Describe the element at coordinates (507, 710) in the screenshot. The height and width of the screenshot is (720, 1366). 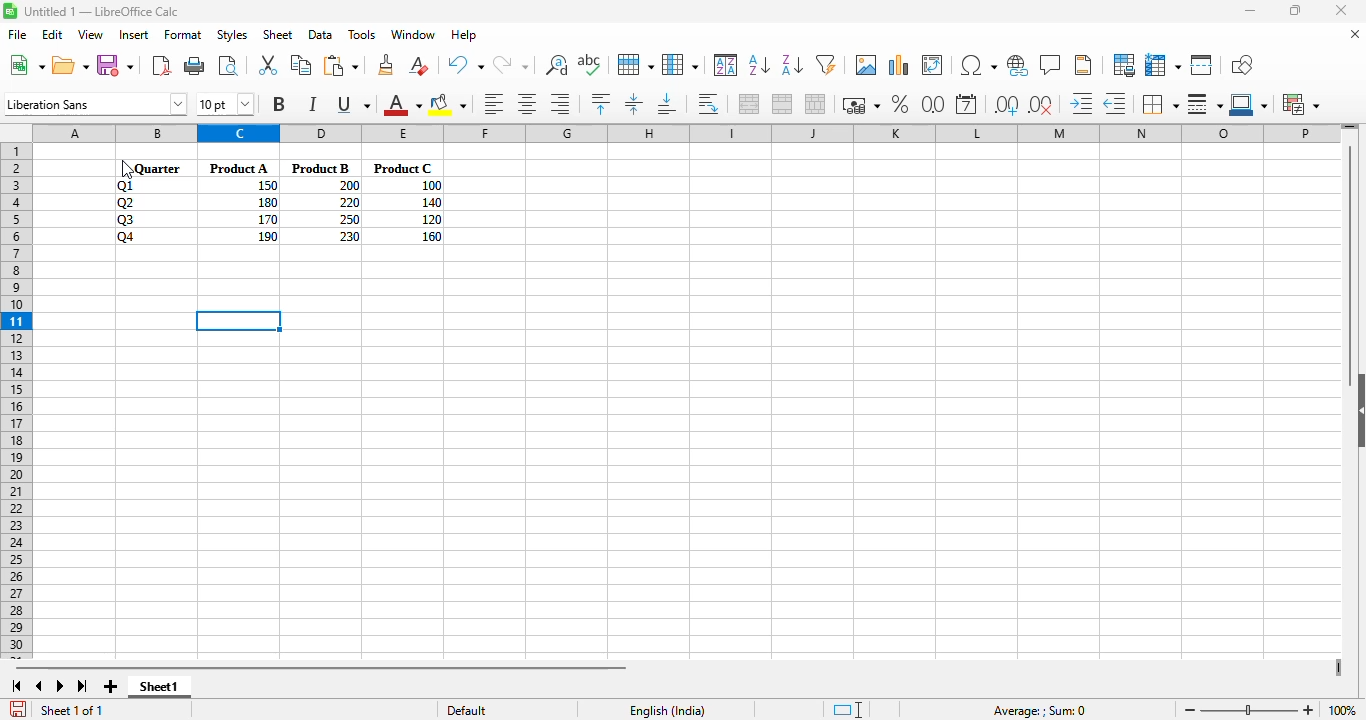
I see `Default` at that location.